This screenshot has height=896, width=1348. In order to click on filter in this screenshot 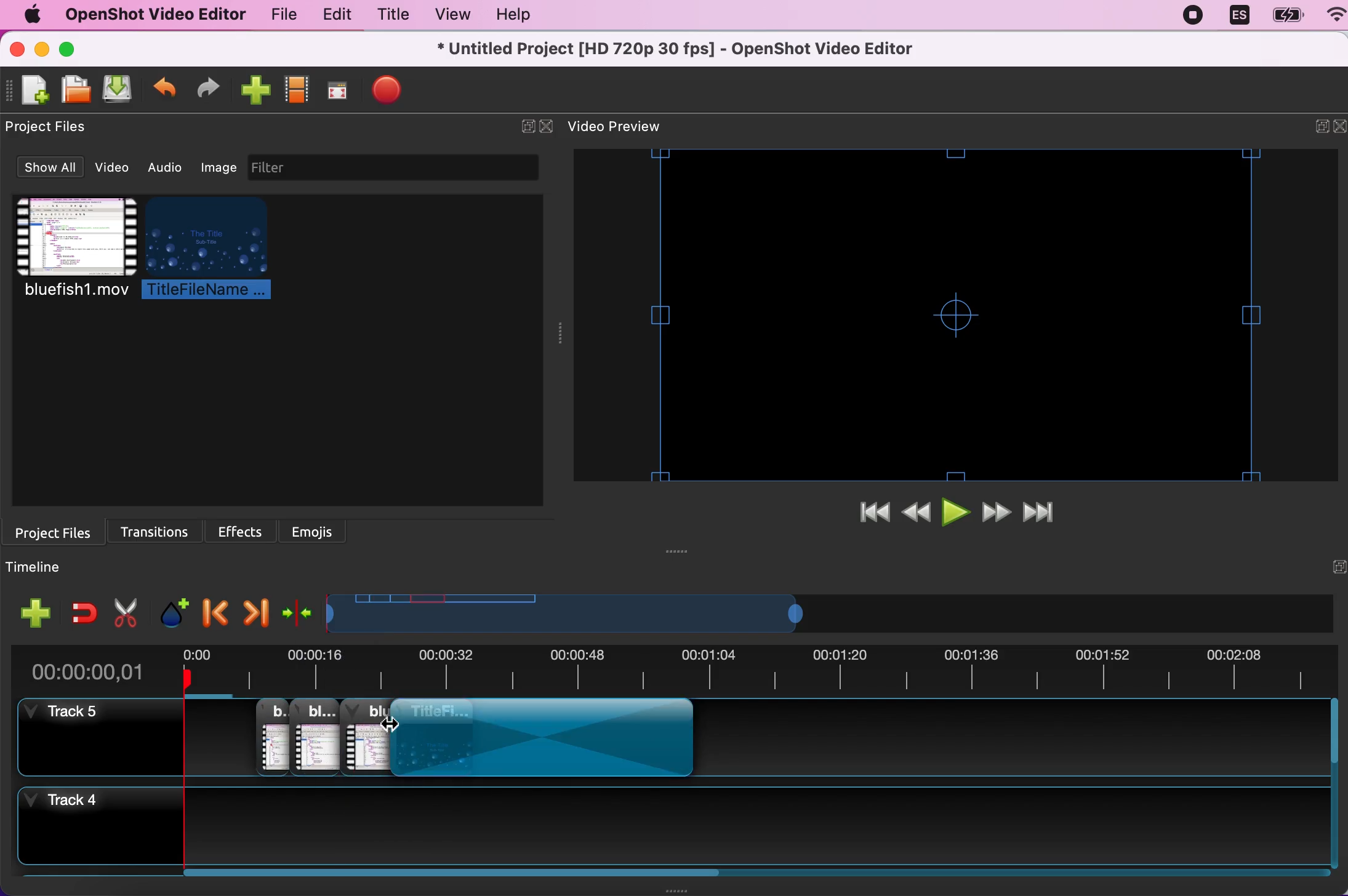, I will do `click(406, 167)`.